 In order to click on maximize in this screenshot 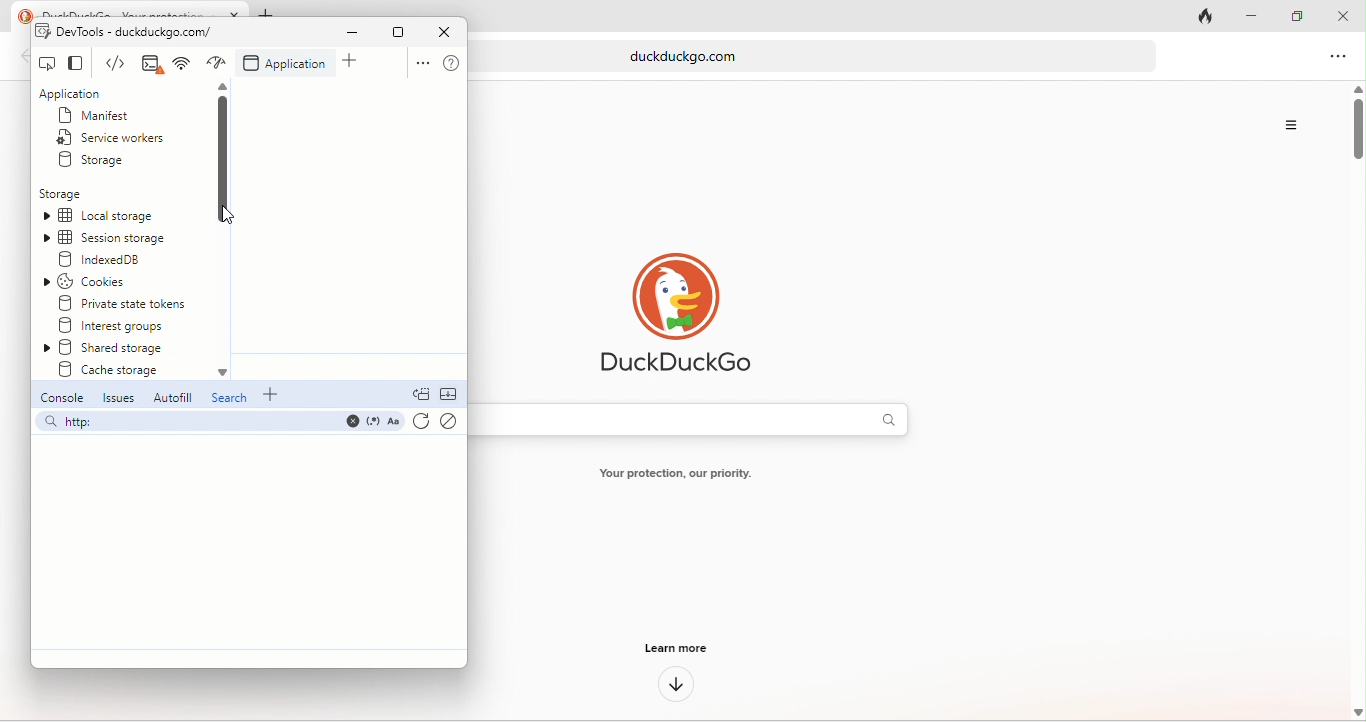, I will do `click(397, 32)`.